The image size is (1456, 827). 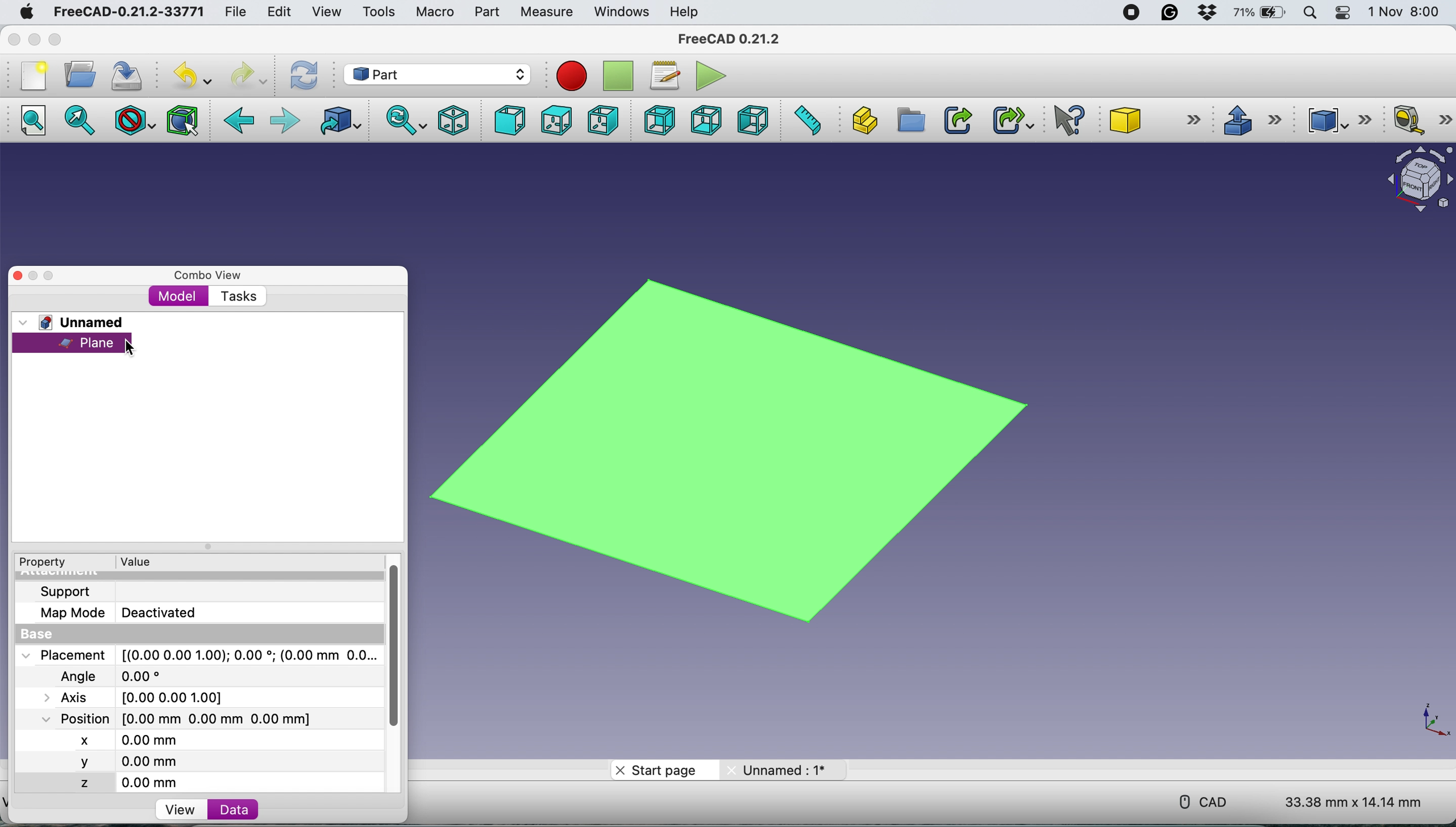 I want to click on grammarly, so click(x=1170, y=14).